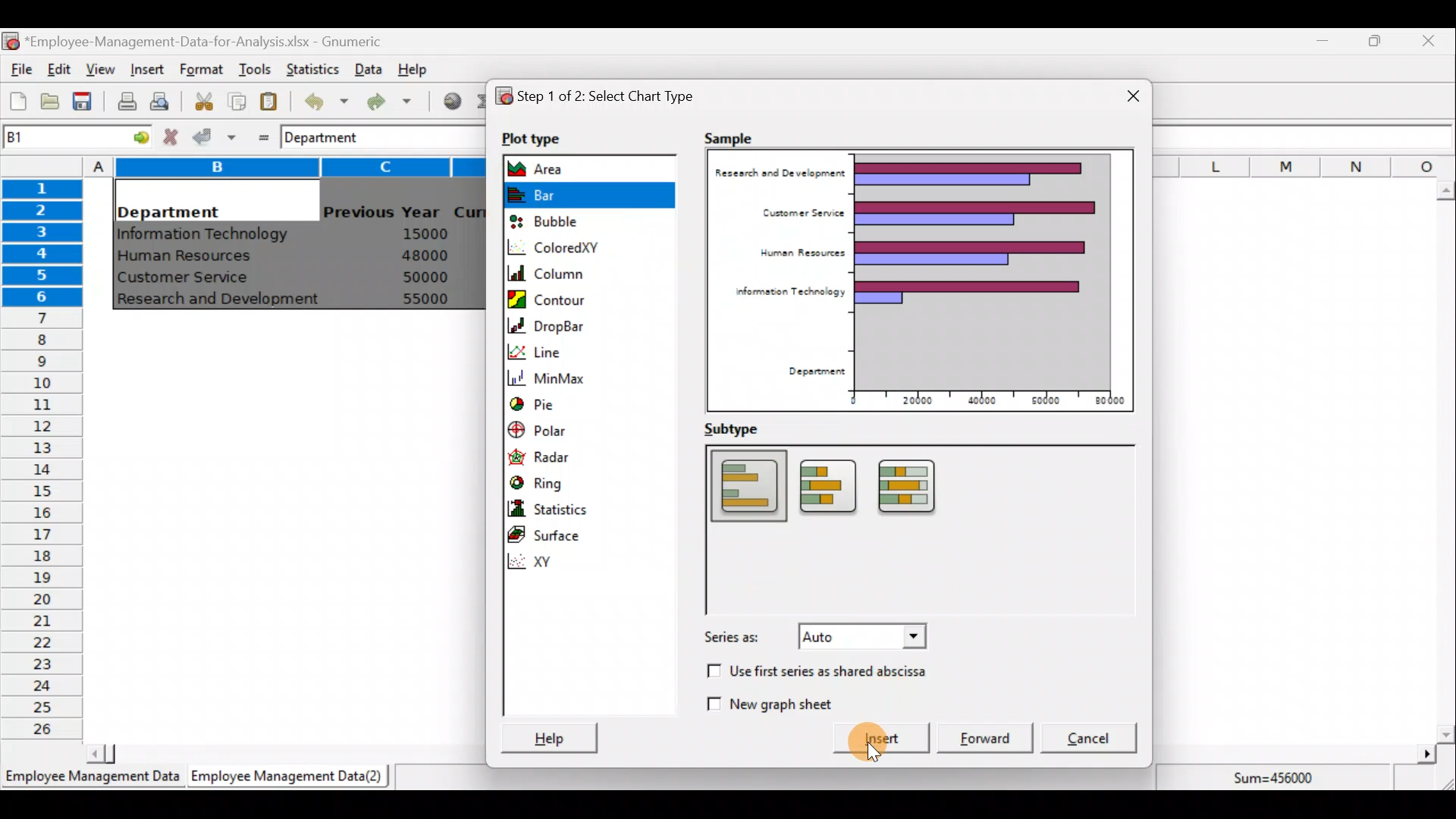 The image size is (1456, 819). Describe the element at coordinates (547, 736) in the screenshot. I see `Help` at that location.